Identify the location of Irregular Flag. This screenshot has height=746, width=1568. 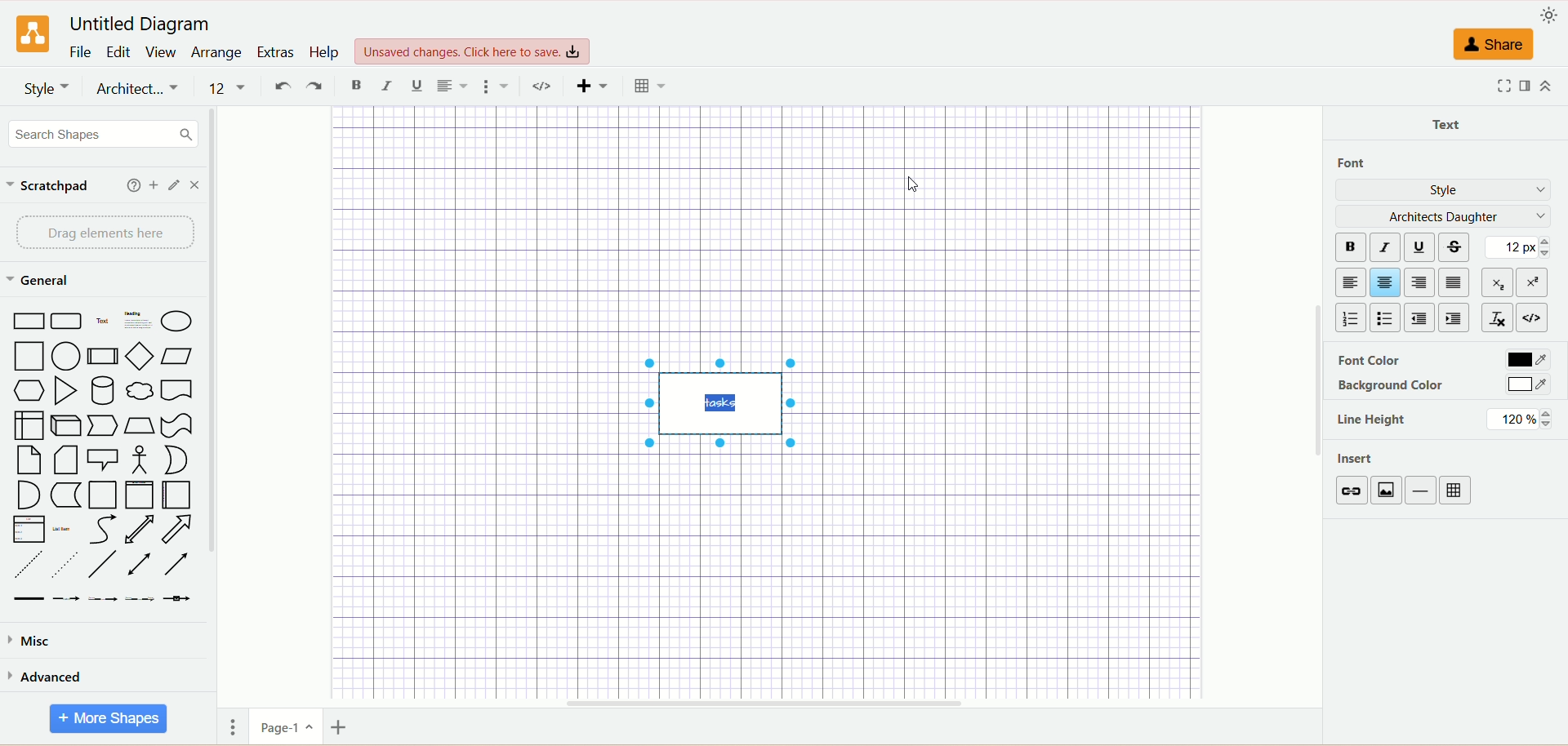
(178, 426).